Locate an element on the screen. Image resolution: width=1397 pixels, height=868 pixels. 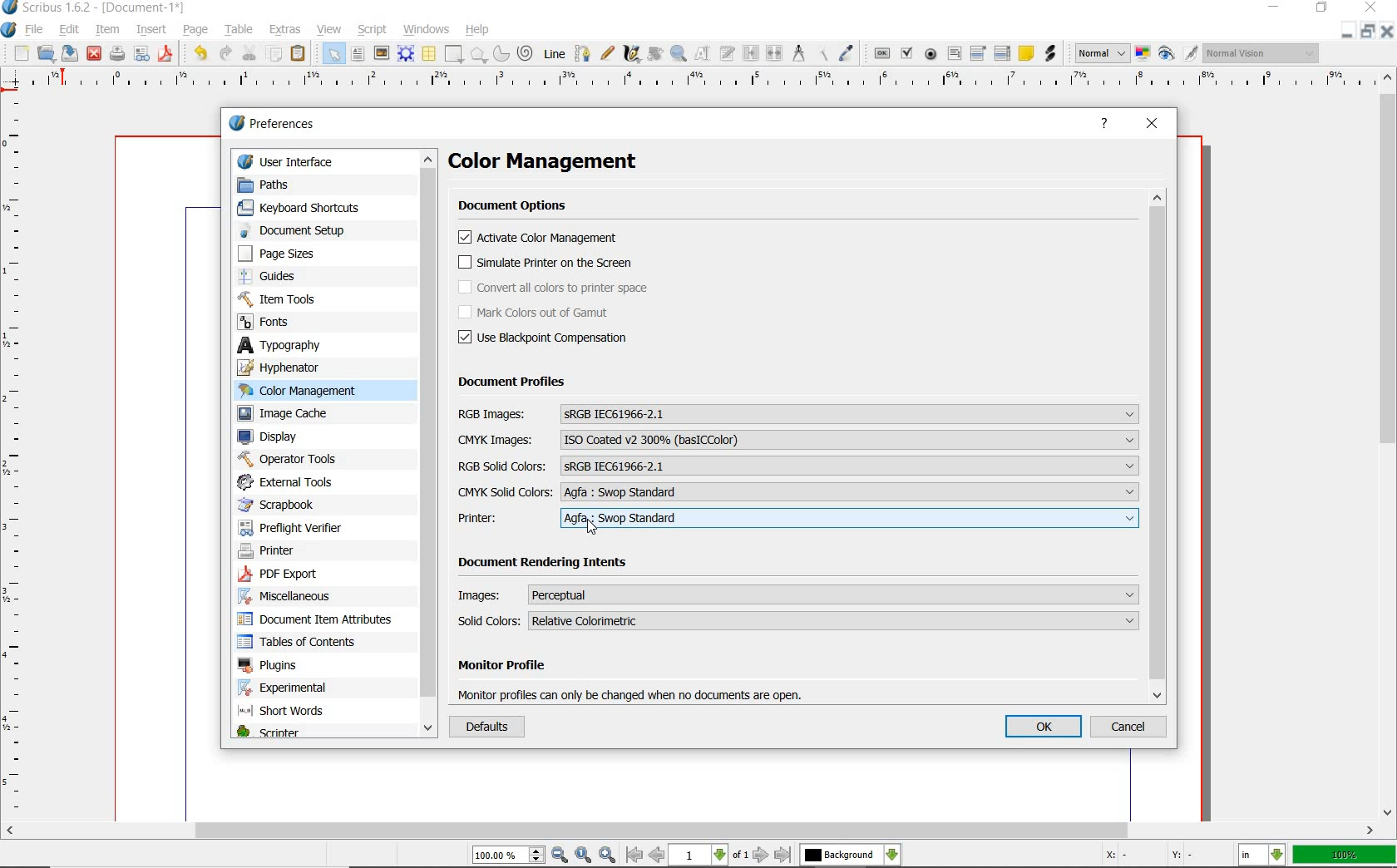
copy is located at coordinates (274, 55).